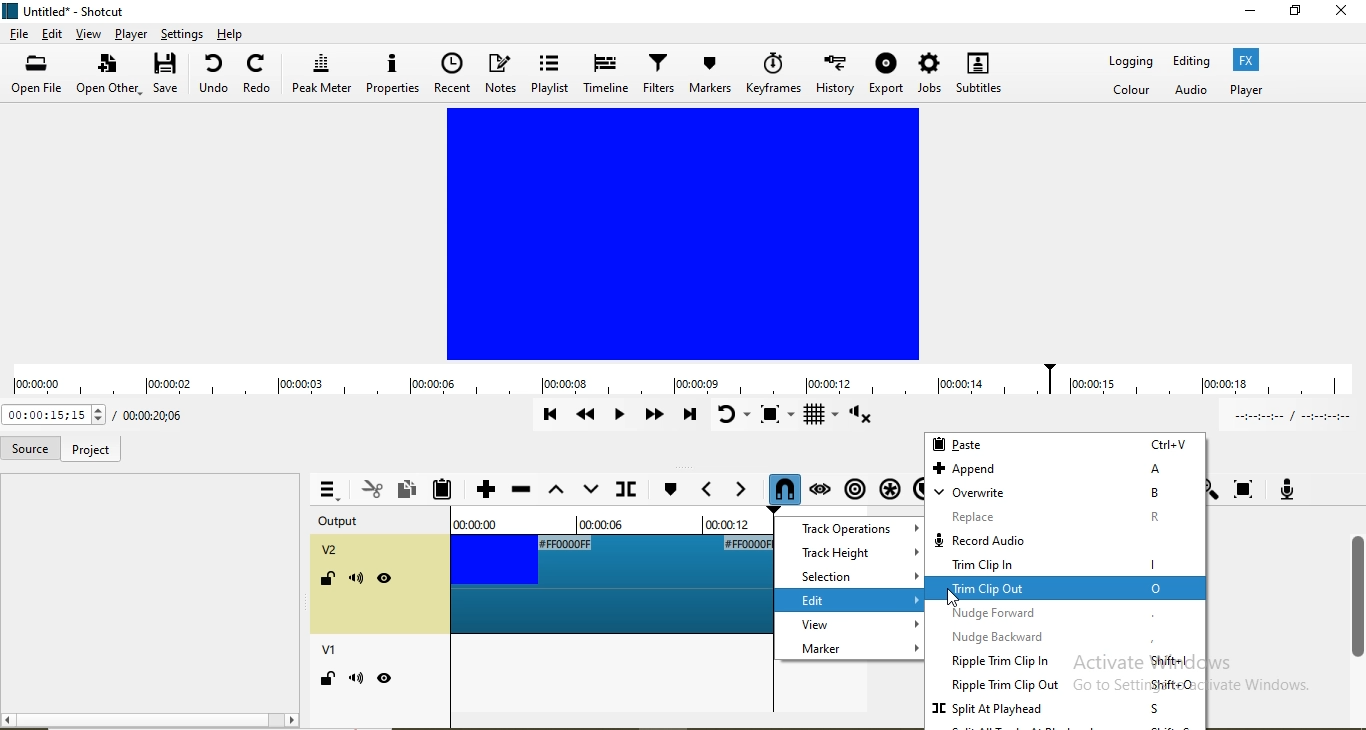 This screenshot has height=730, width=1366. I want to click on Editing, so click(1191, 61).